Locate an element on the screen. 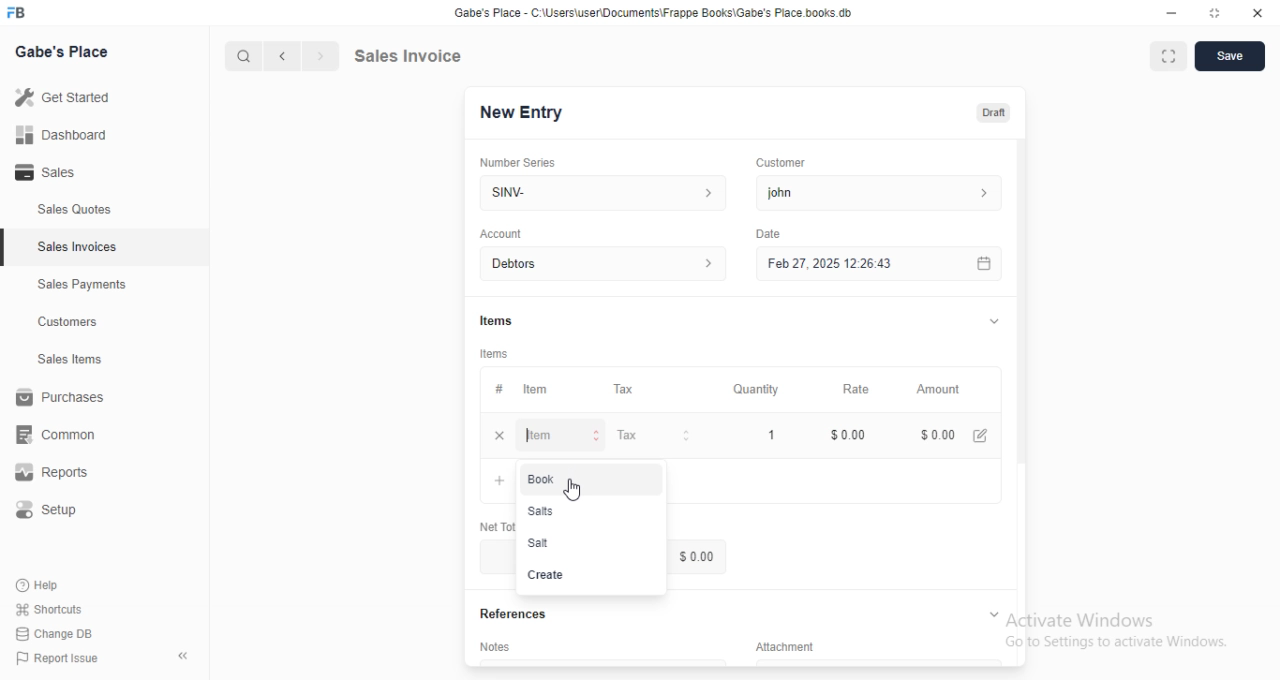  Sales Payments is located at coordinates (82, 285).